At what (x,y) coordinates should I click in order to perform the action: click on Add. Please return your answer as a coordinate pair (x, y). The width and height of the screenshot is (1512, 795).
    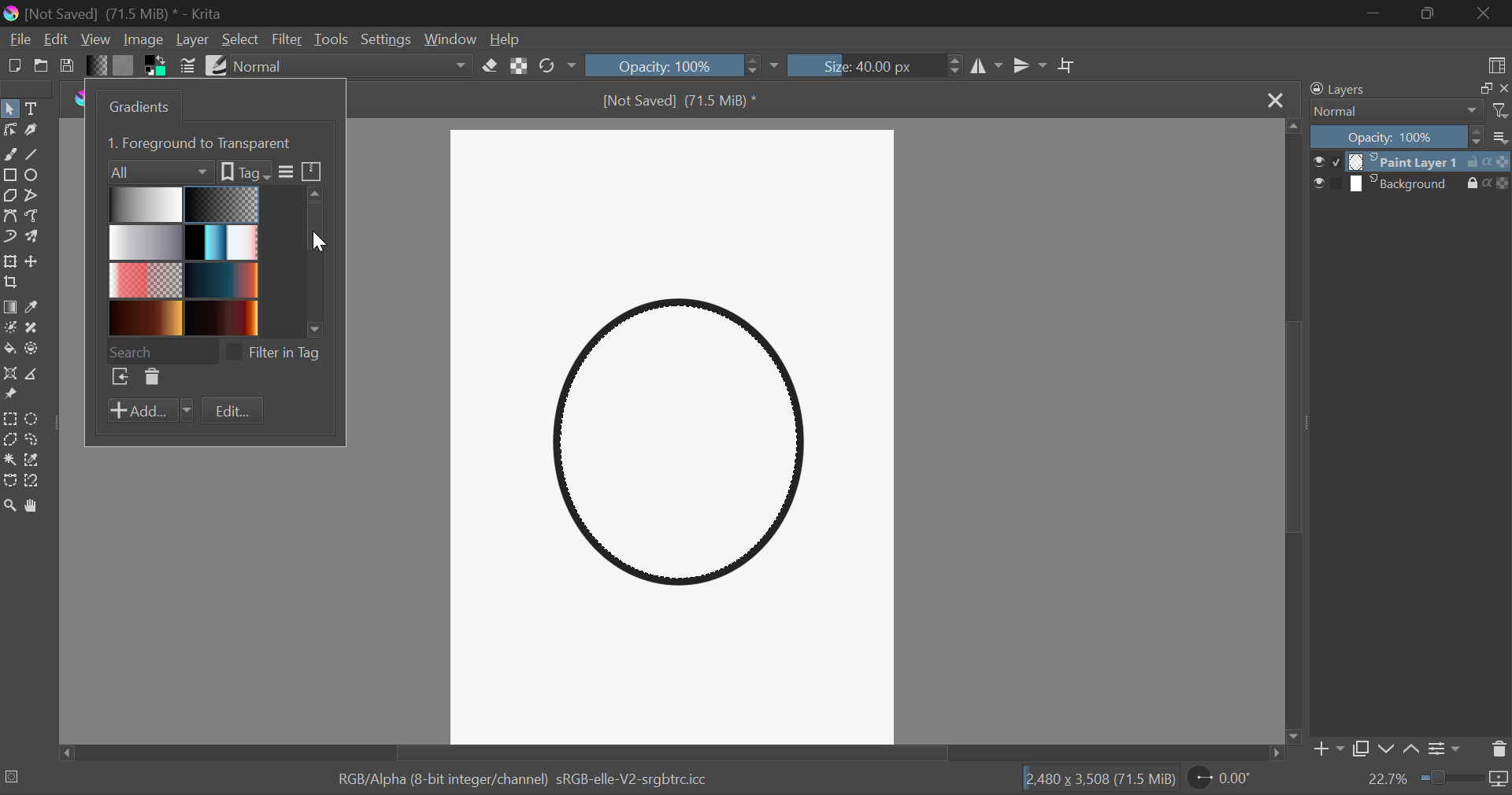
    Looking at the image, I should click on (151, 410).